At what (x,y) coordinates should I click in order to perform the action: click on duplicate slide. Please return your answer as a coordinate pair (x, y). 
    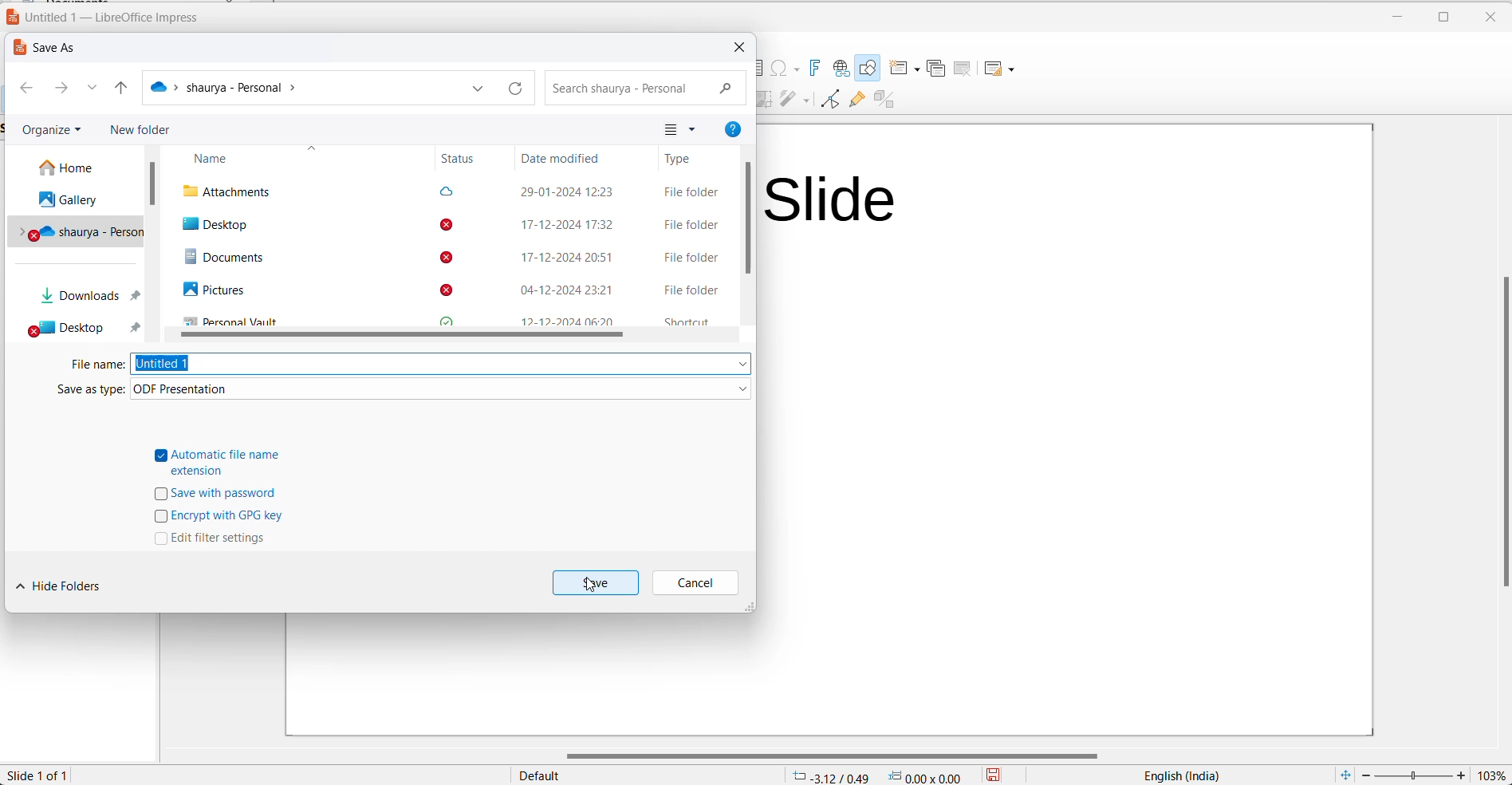
    Looking at the image, I should click on (936, 71).